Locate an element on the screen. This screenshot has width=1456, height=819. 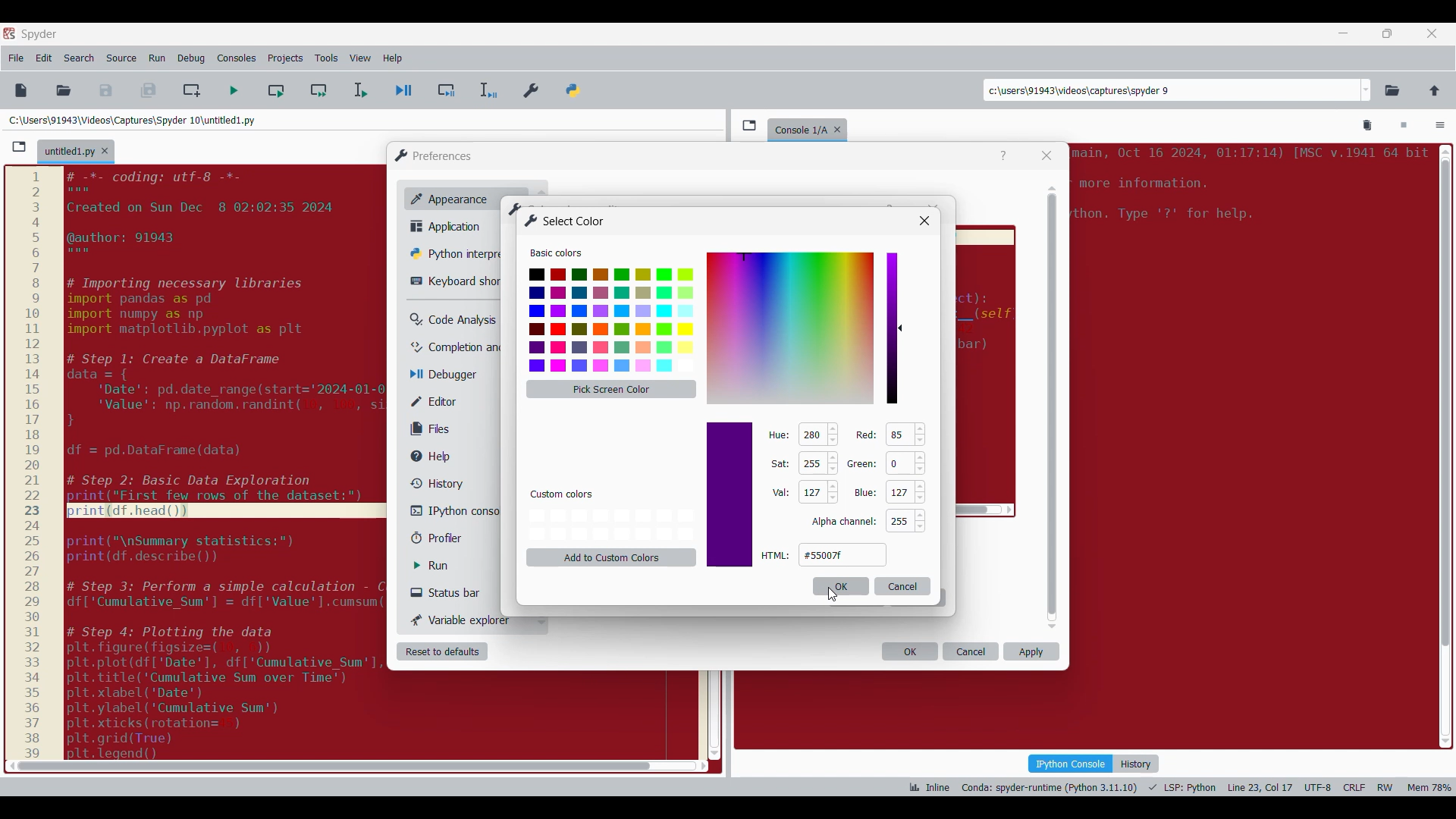
255 is located at coordinates (898, 522).